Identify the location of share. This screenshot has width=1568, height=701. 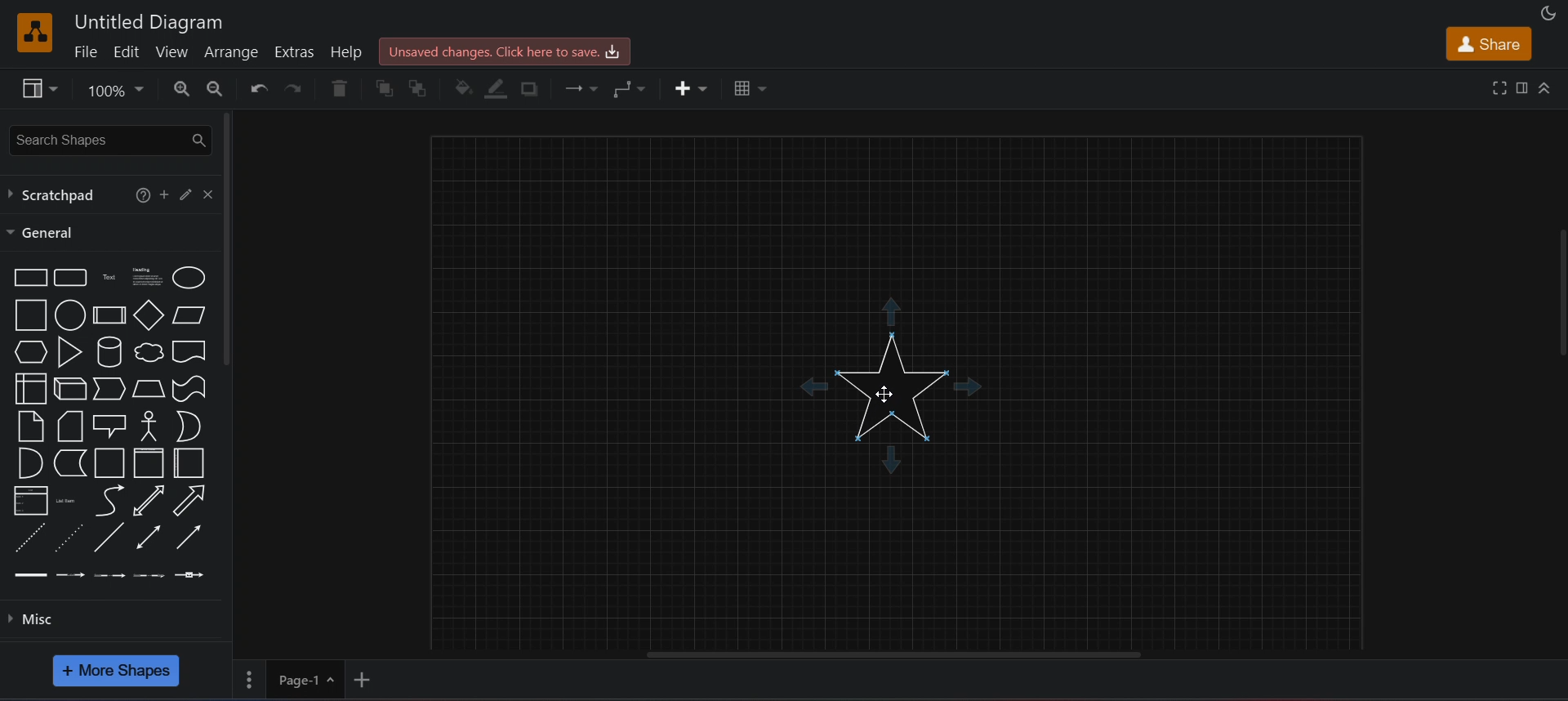
(1488, 43).